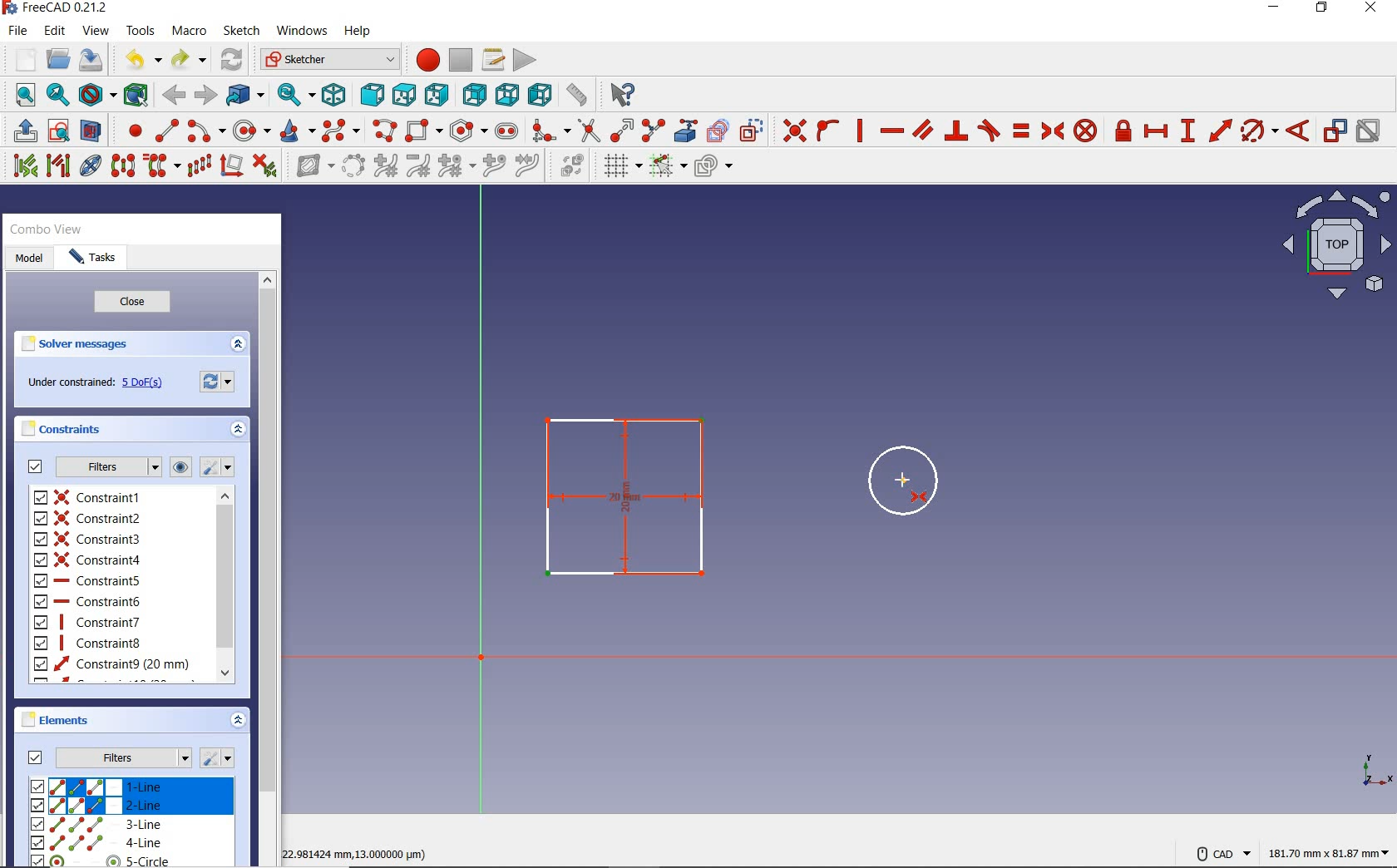  I want to click on constraint9 (20MM), so click(111, 664).